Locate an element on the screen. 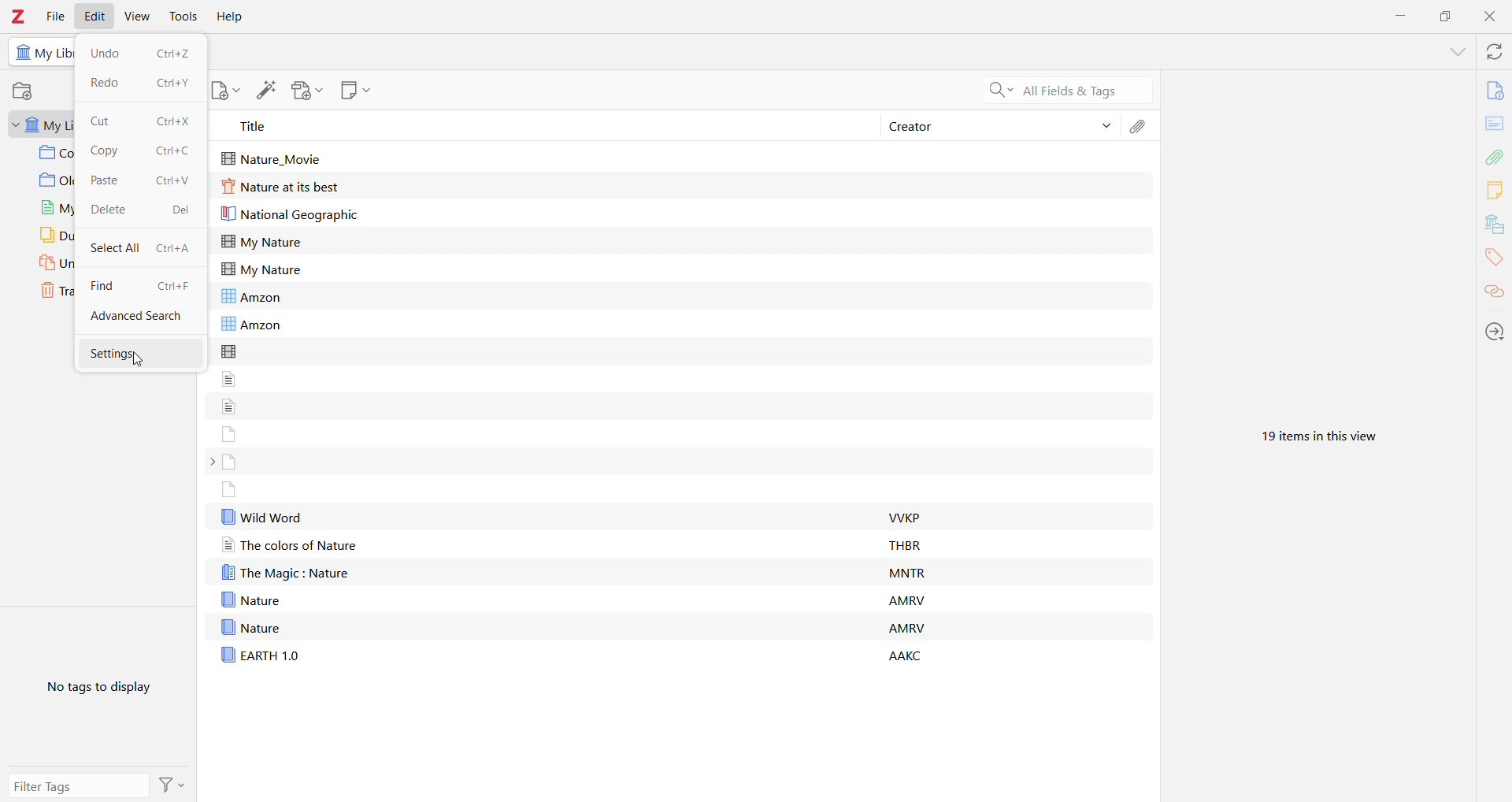 This screenshot has height=802, width=1512. Ctri+C is located at coordinates (176, 153).